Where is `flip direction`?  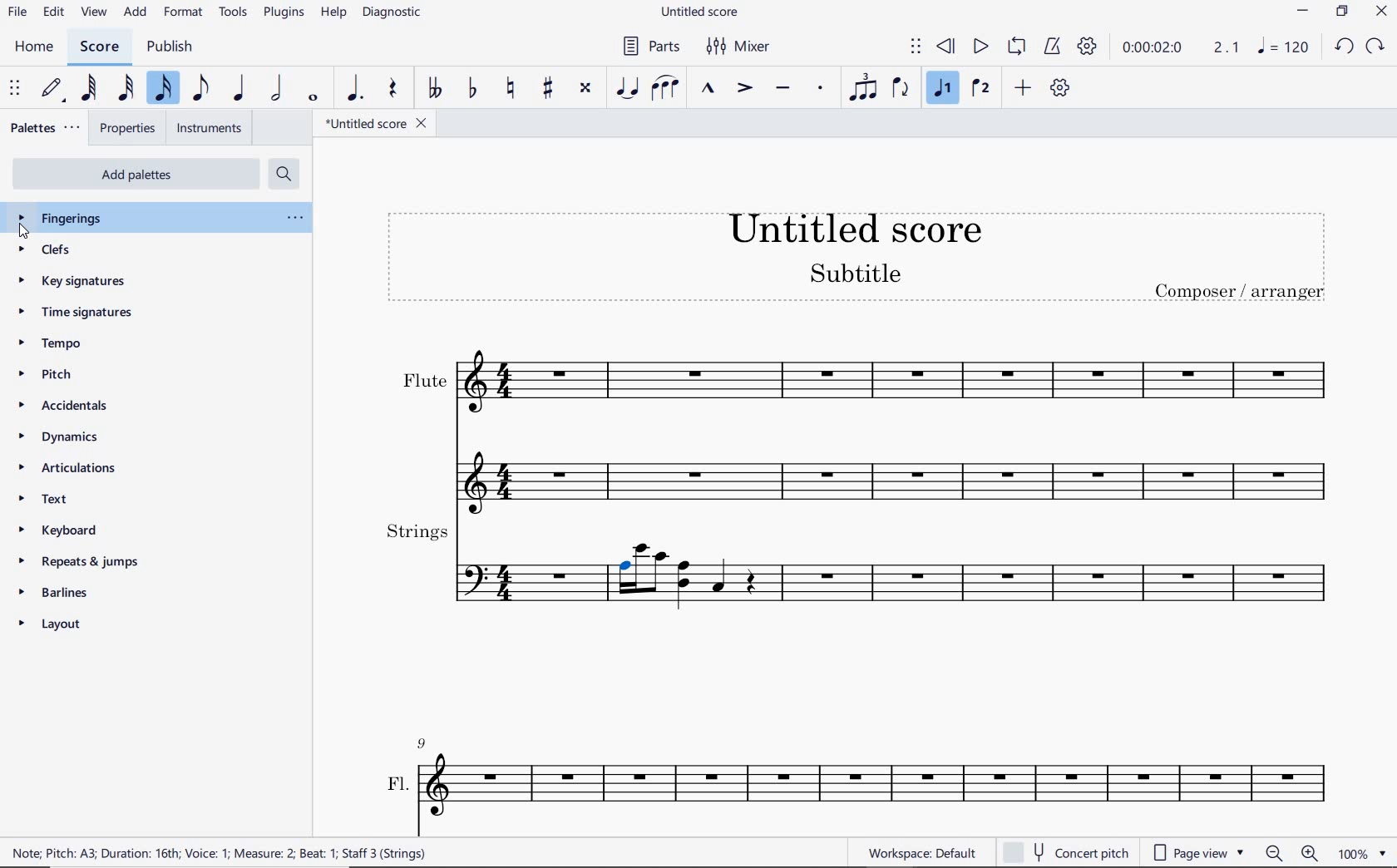 flip direction is located at coordinates (902, 89).